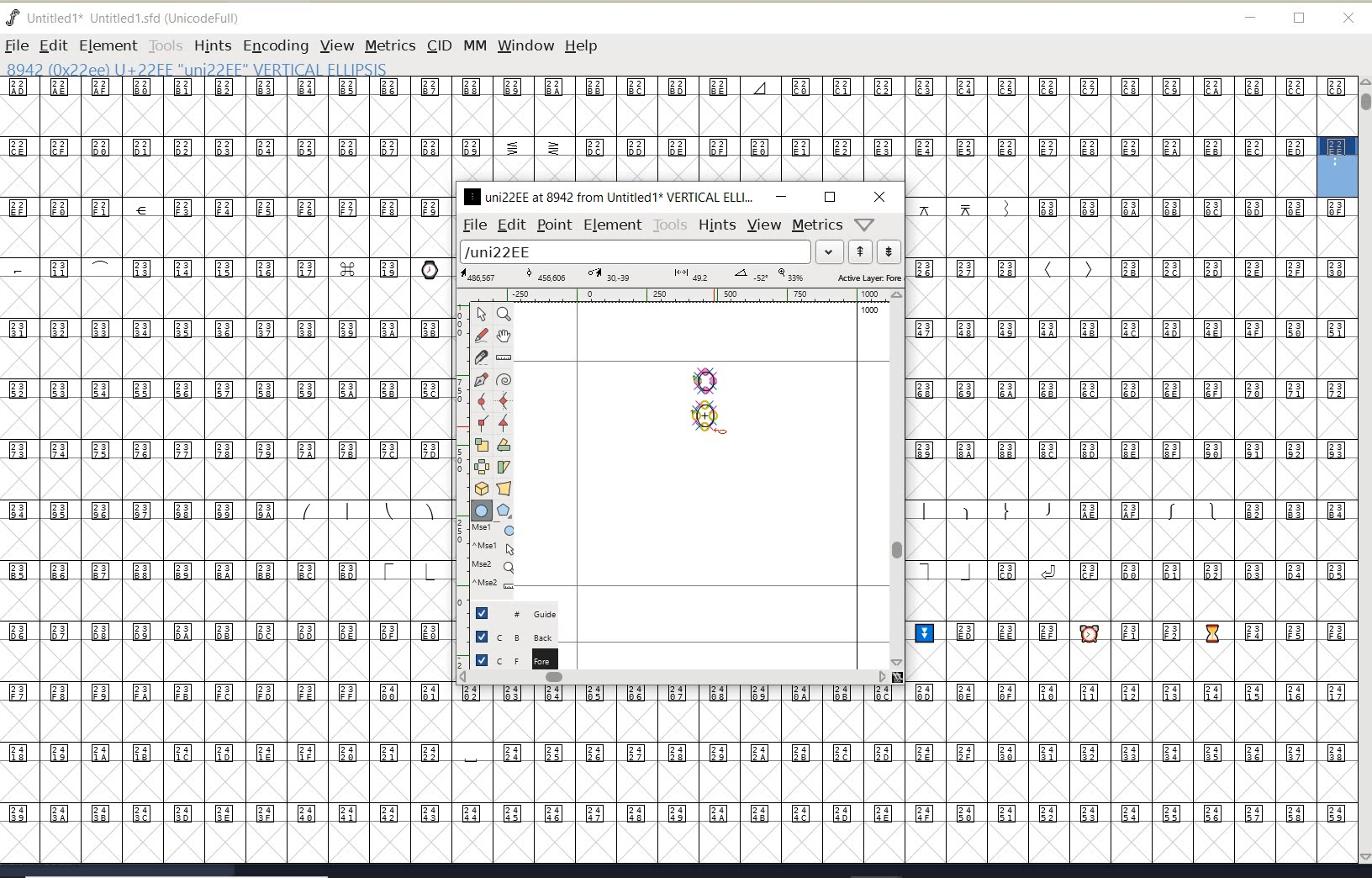 The width and height of the screenshot is (1372, 878). I want to click on scroll by hand, so click(504, 337).